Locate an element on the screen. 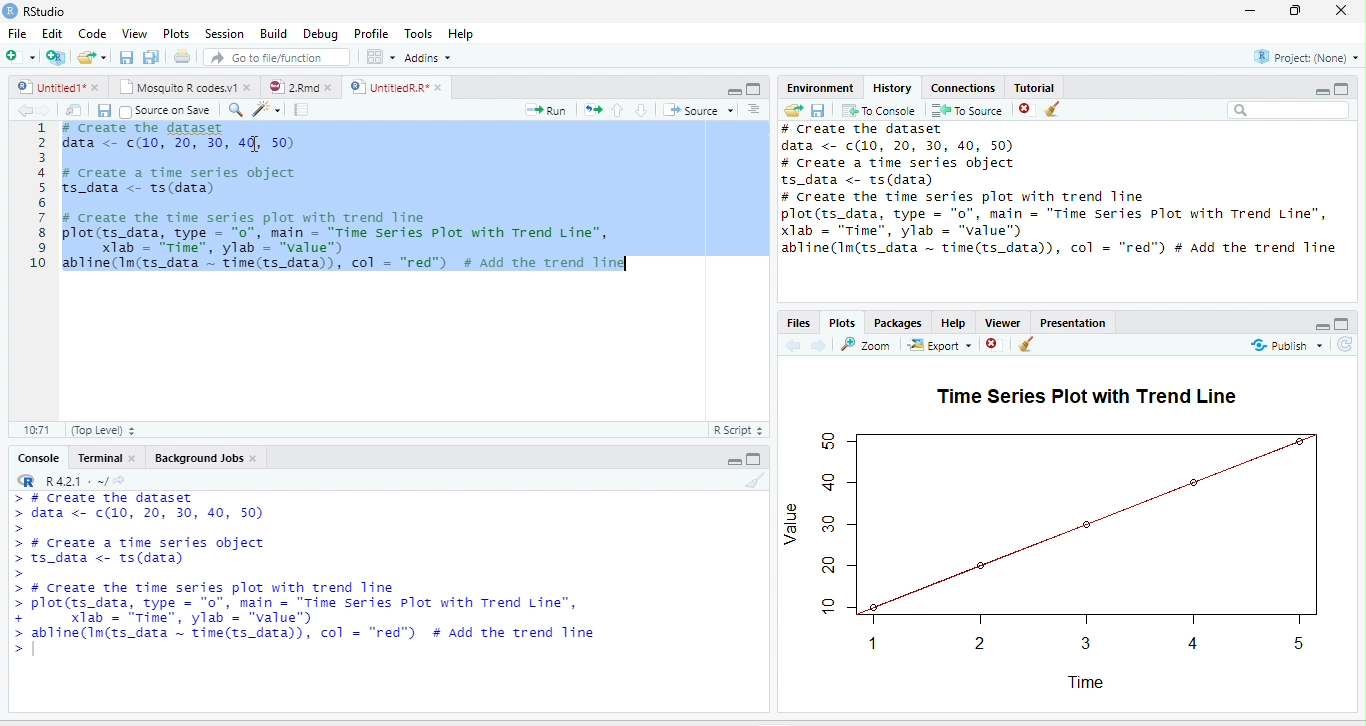 This screenshot has height=726, width=1366. close is located at coordinates (95, 87).